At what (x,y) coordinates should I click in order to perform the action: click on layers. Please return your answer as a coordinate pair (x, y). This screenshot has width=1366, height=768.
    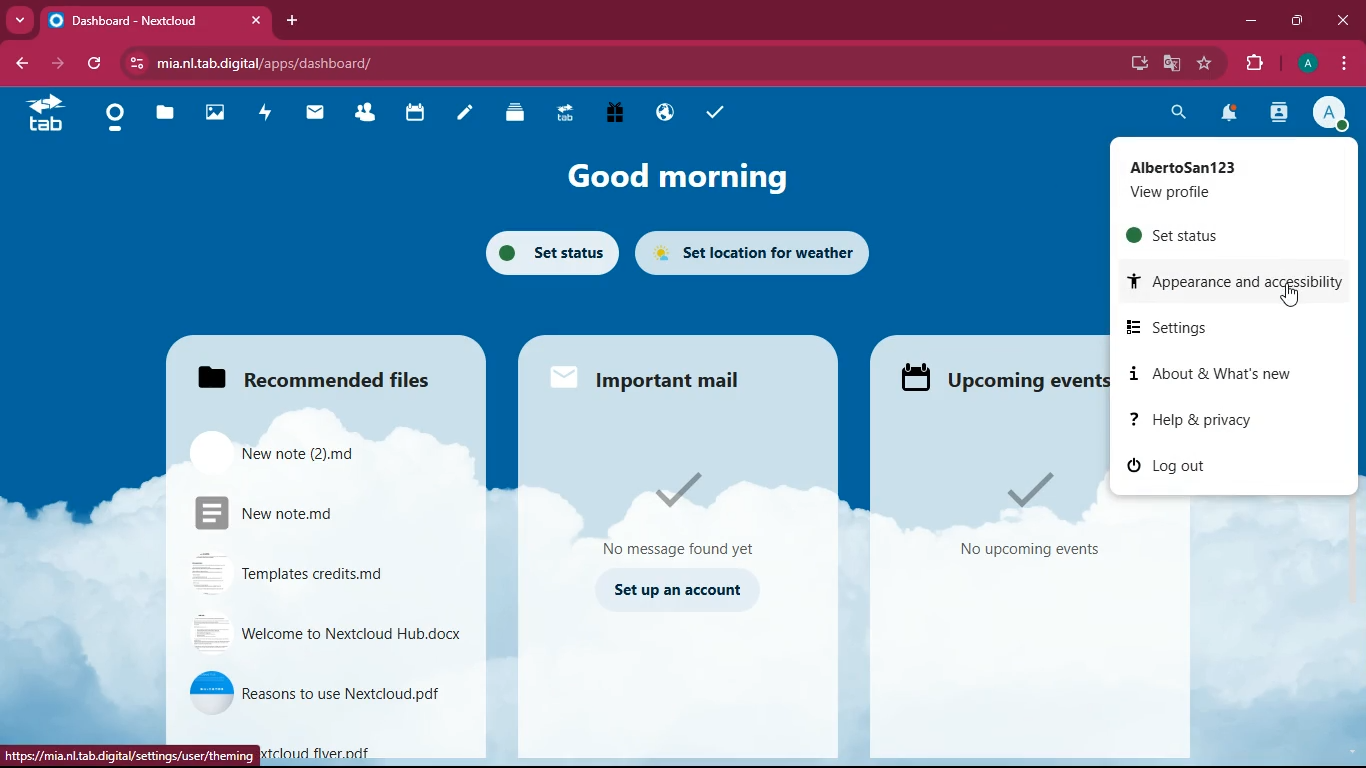
    Looking at the image, I should click on (510, 115).